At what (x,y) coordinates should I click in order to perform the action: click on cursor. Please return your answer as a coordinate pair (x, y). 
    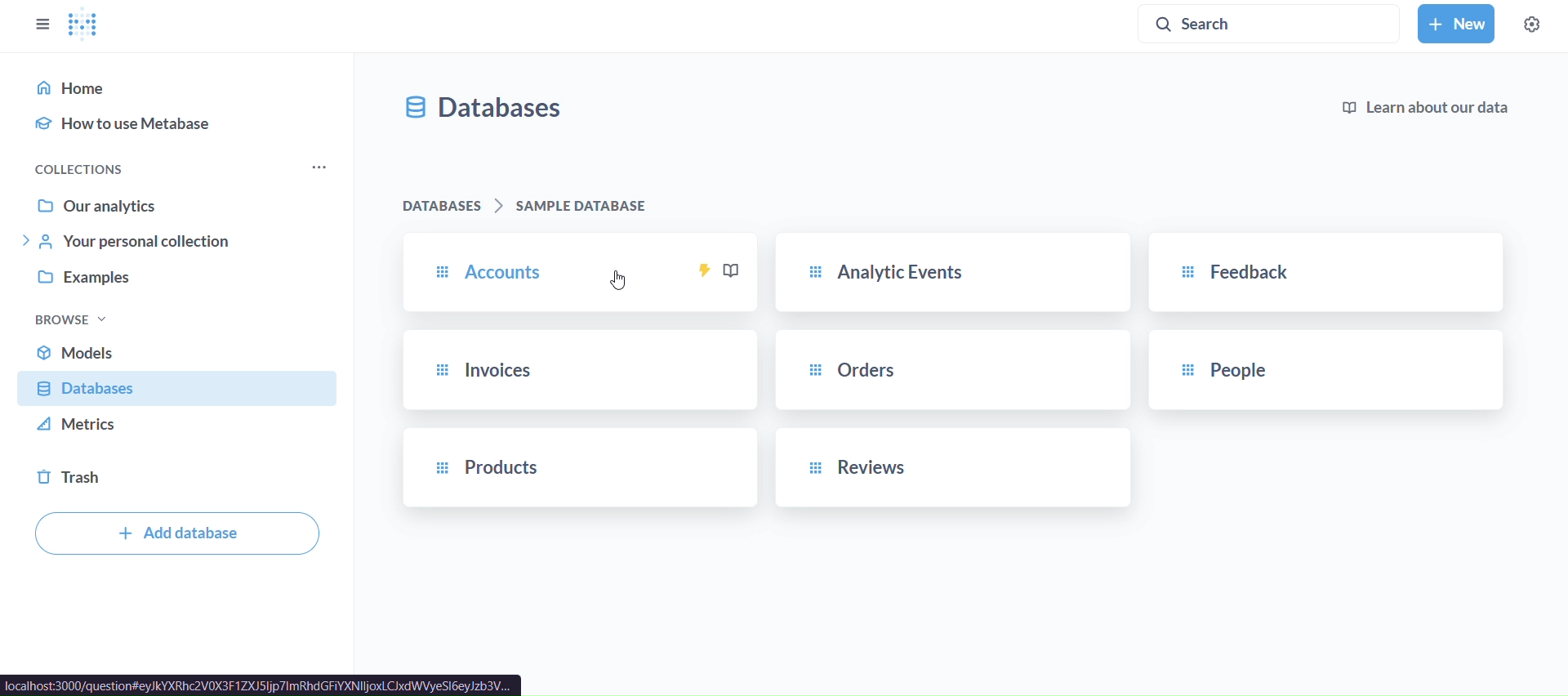
    Looking at the image, I should click on (622, 279).